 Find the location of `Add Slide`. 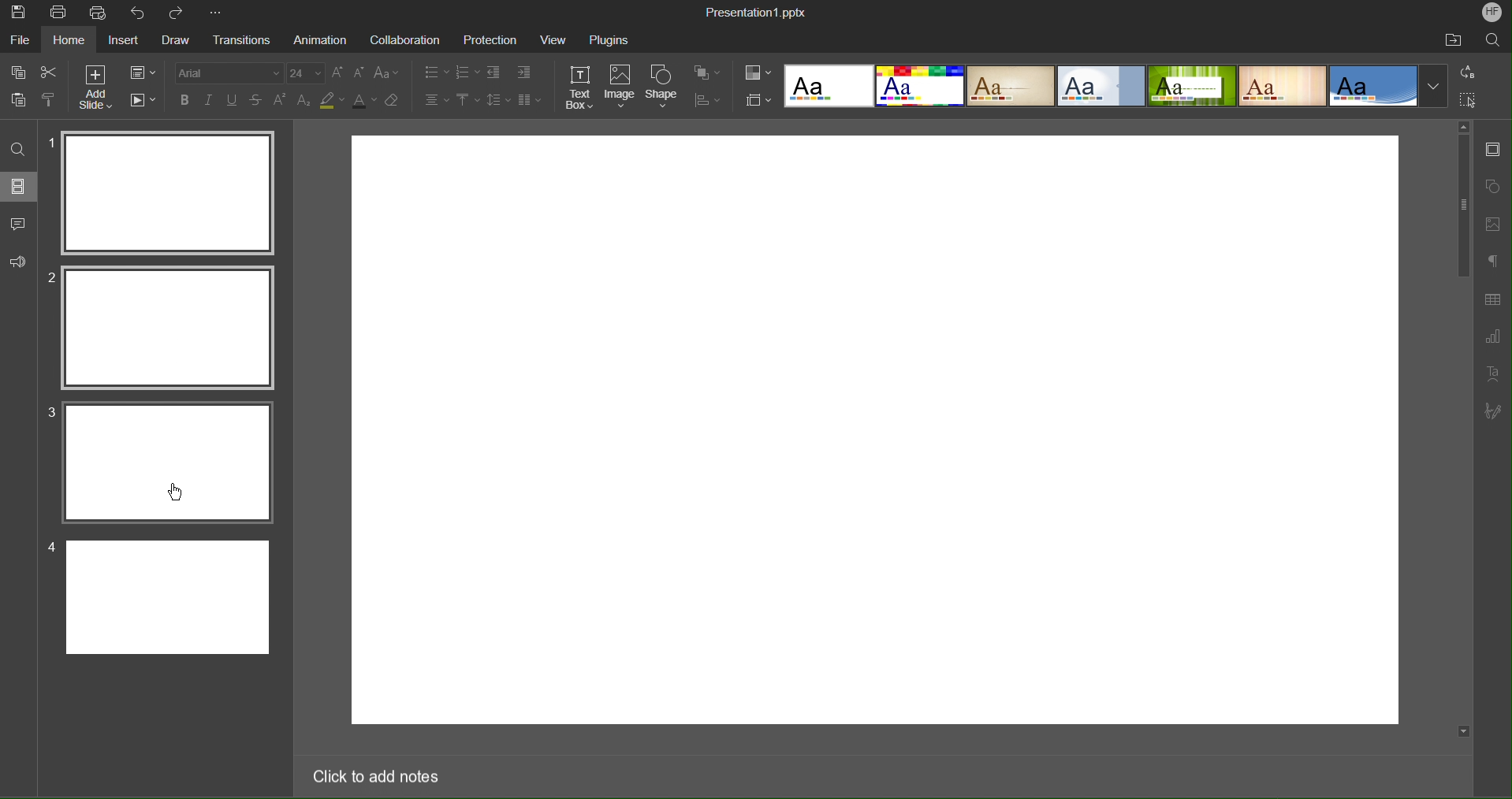

Add Slide is located at coordinates (98, 85).